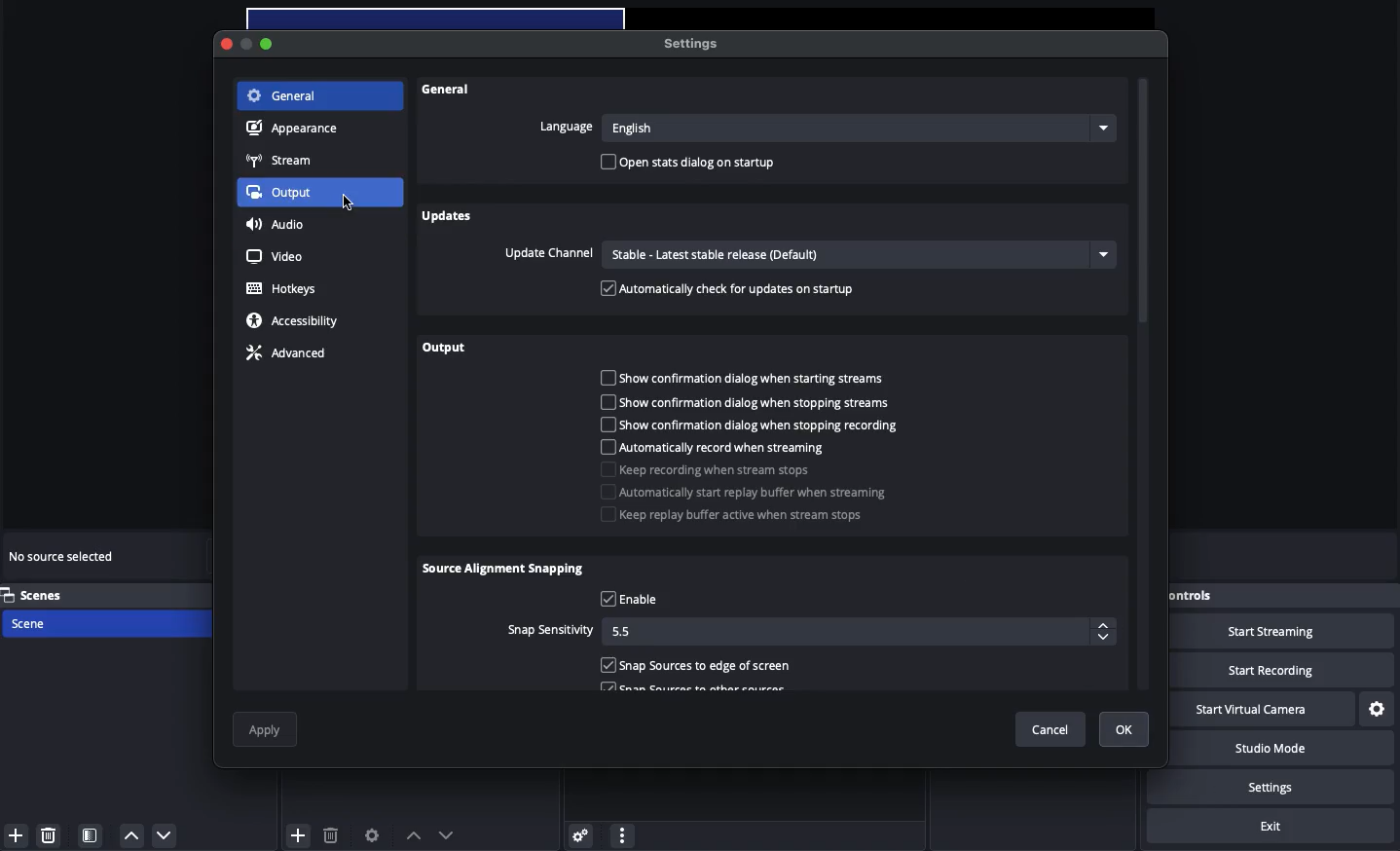  I want to click on Move up, so click(413, 835).